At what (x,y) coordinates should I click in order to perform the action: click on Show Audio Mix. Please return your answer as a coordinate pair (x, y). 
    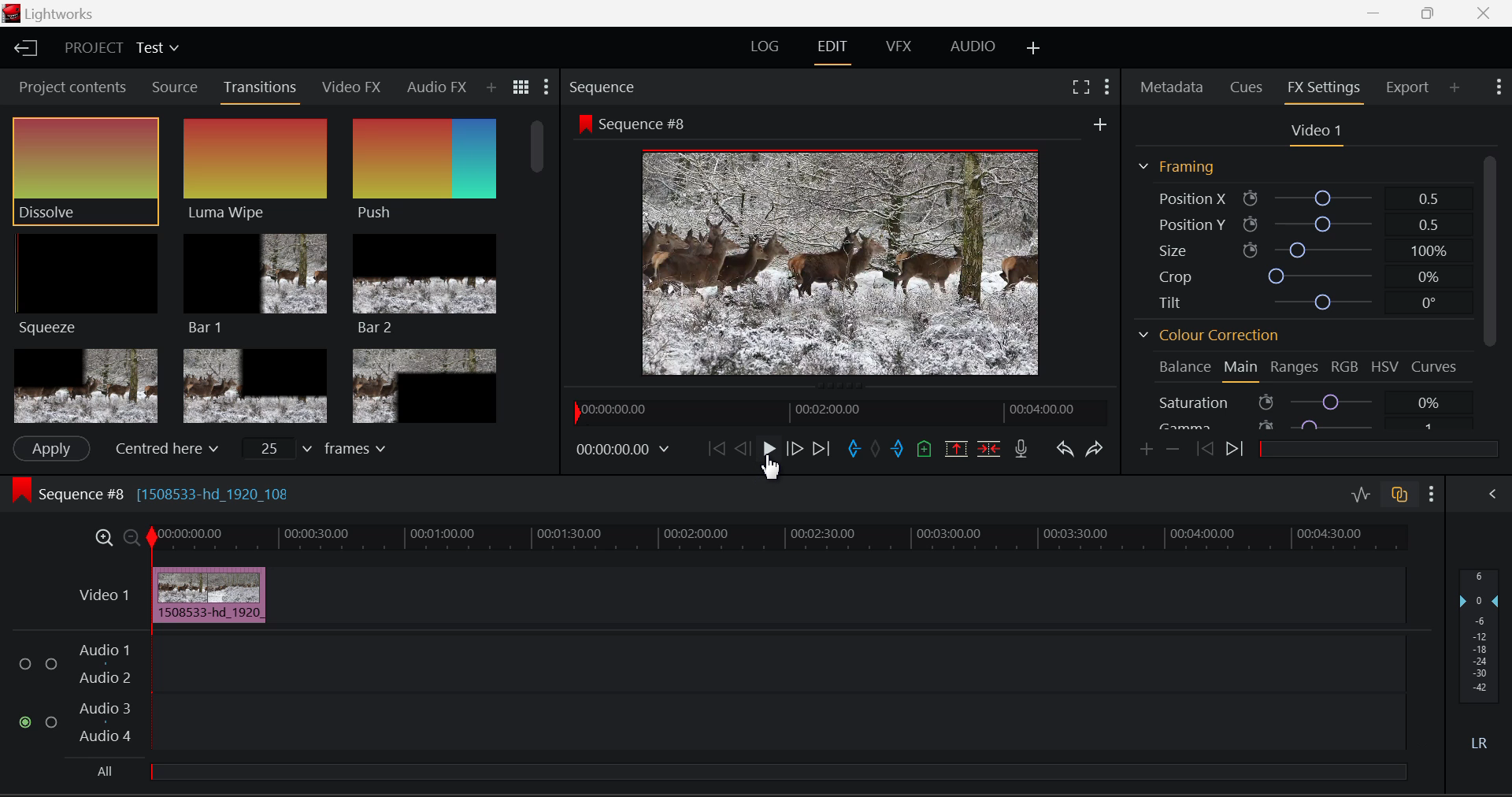
    Looking at the image, I should click on (1493, 496).